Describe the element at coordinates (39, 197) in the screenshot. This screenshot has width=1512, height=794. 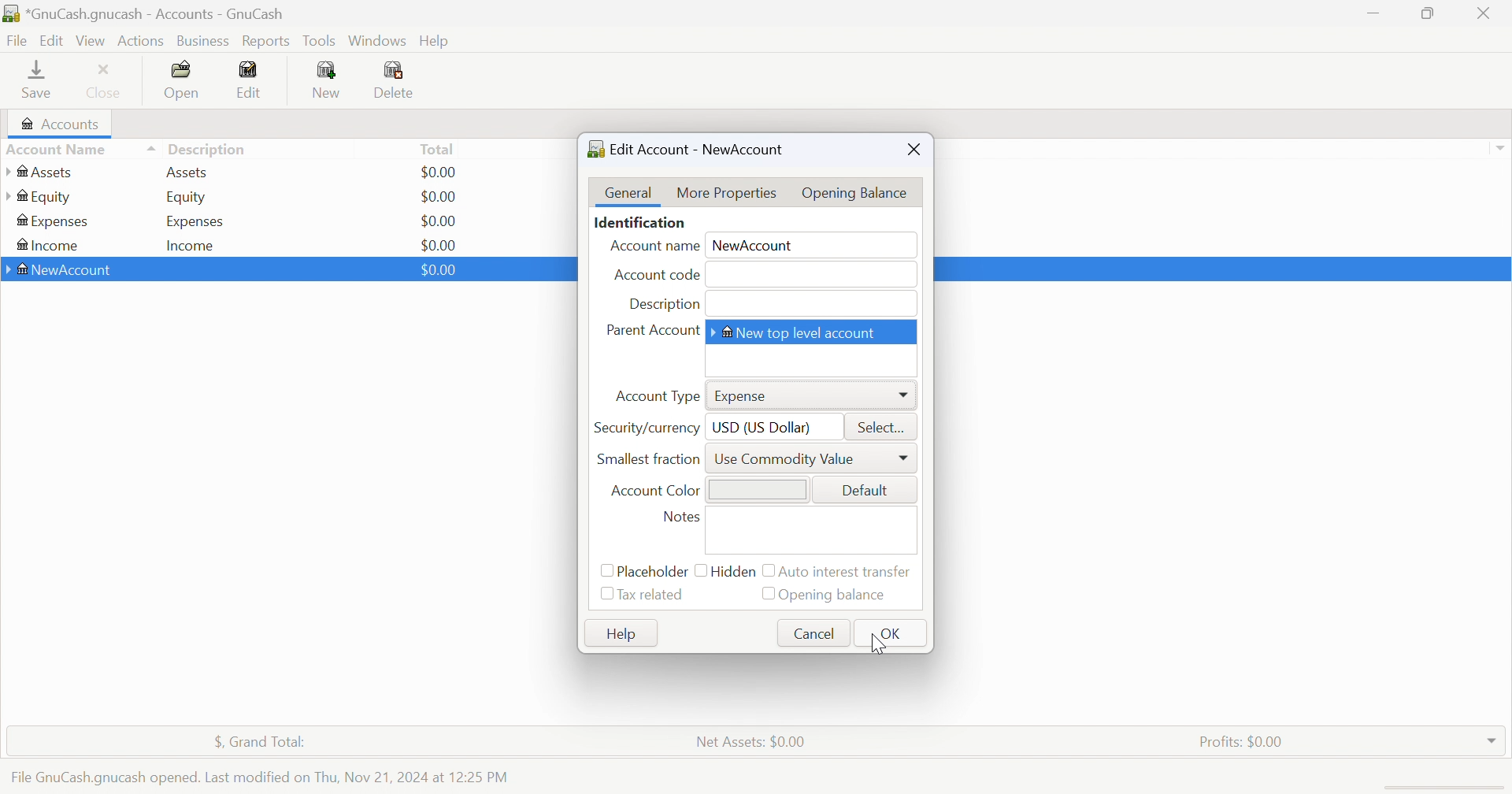
I see `Equity` at that location.